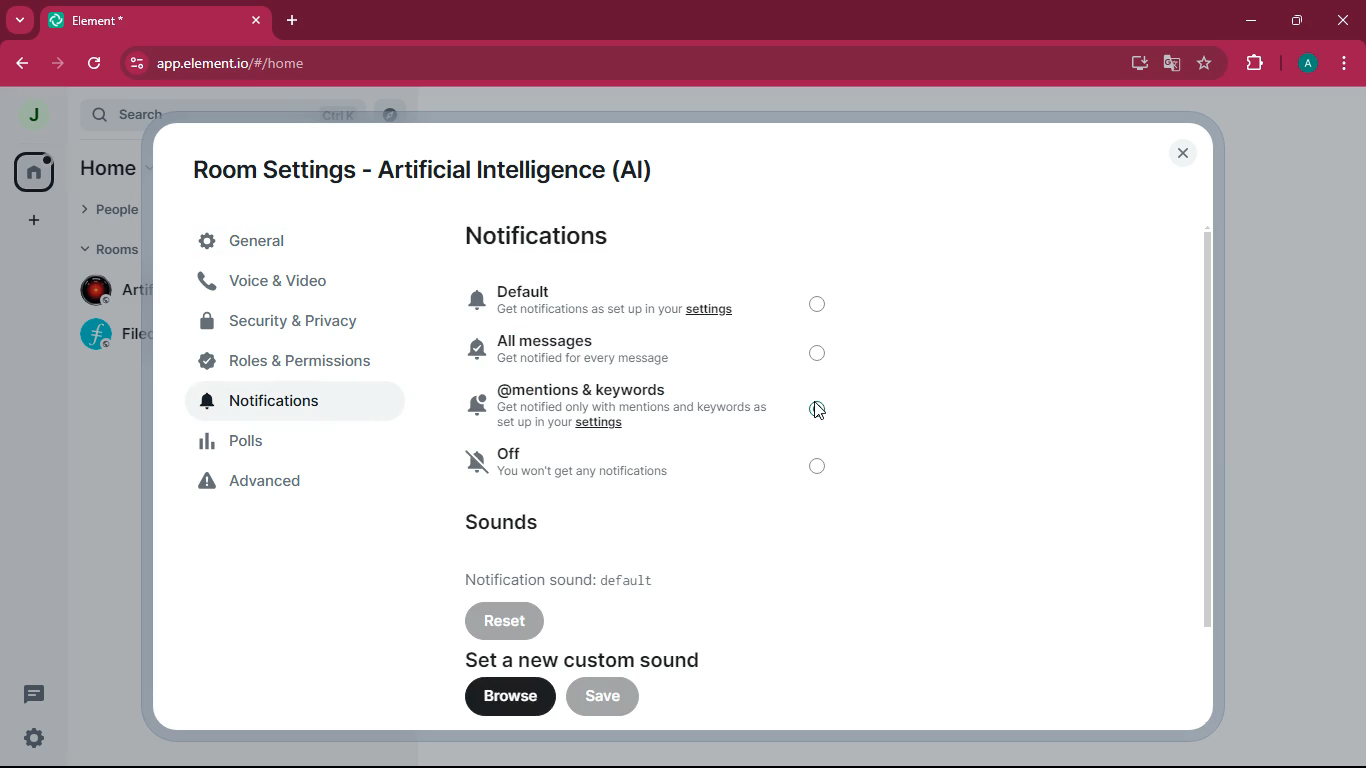  What do you see at coordinates (433, 166) in the screenshot?
I see `room settings` at bounding box center [433, 166].